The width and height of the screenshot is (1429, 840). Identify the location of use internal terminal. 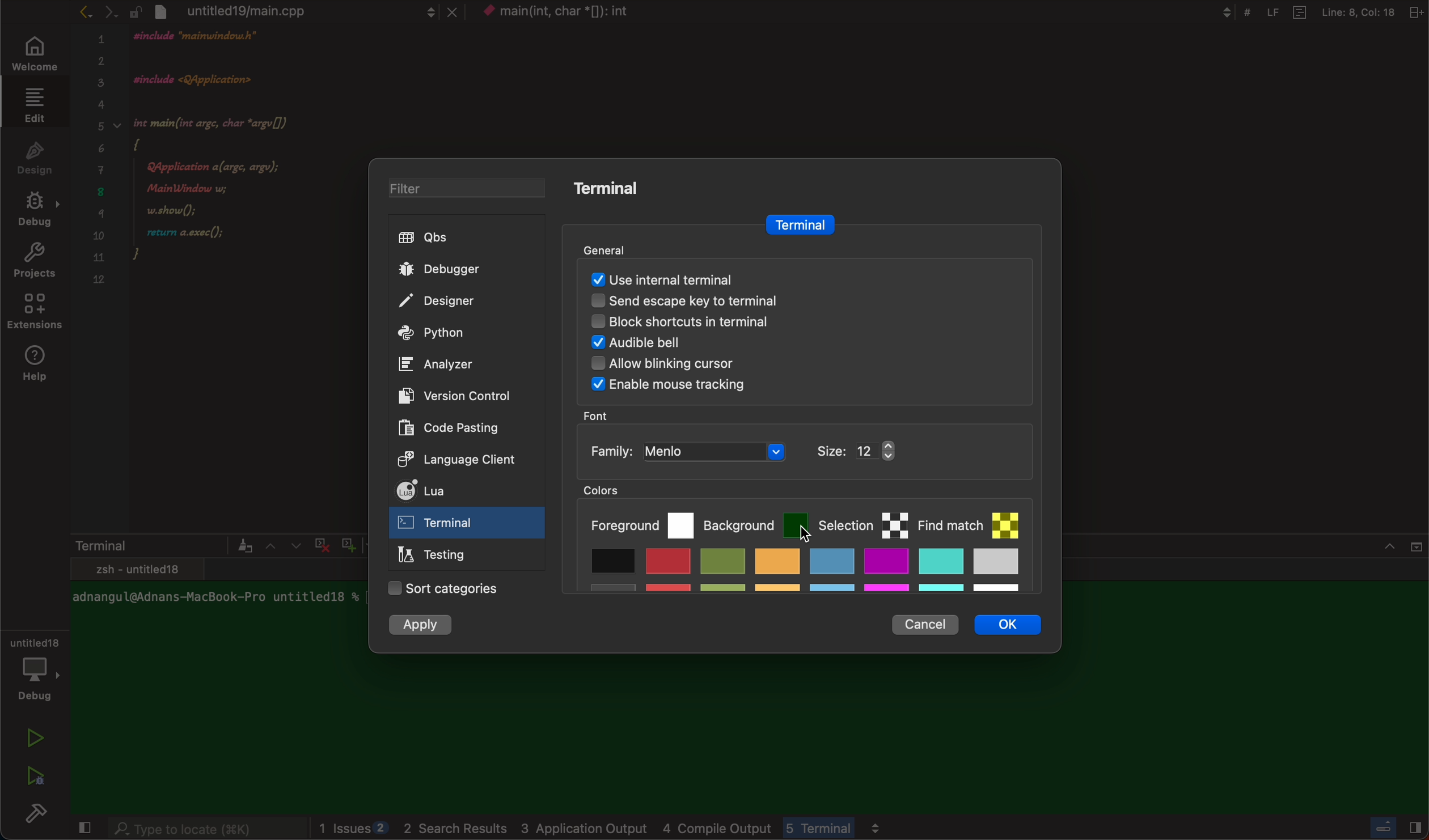
(798, 278).